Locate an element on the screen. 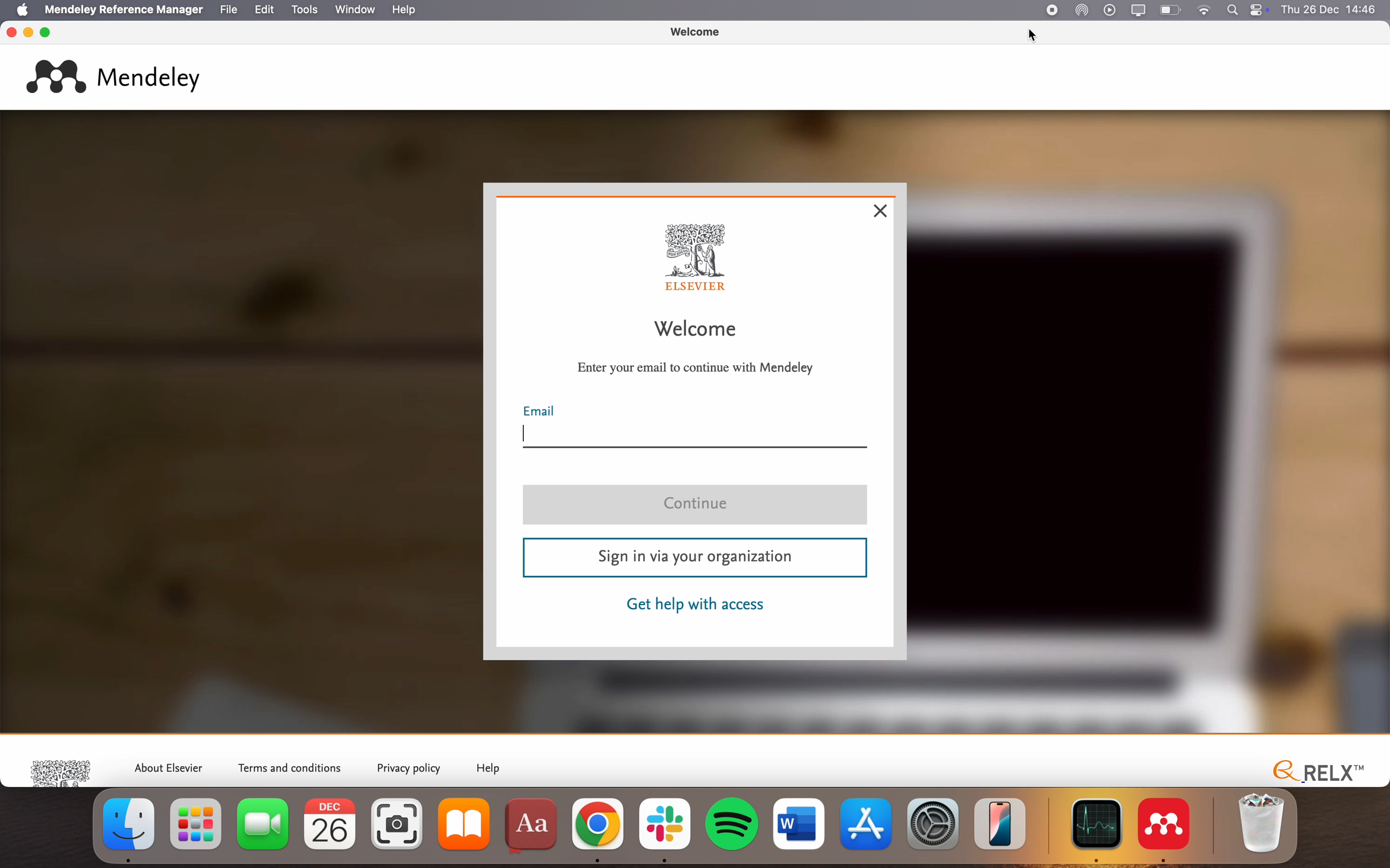 The width and height of the screenshot is (1390, 868). word is located at coordinates (800, 826).